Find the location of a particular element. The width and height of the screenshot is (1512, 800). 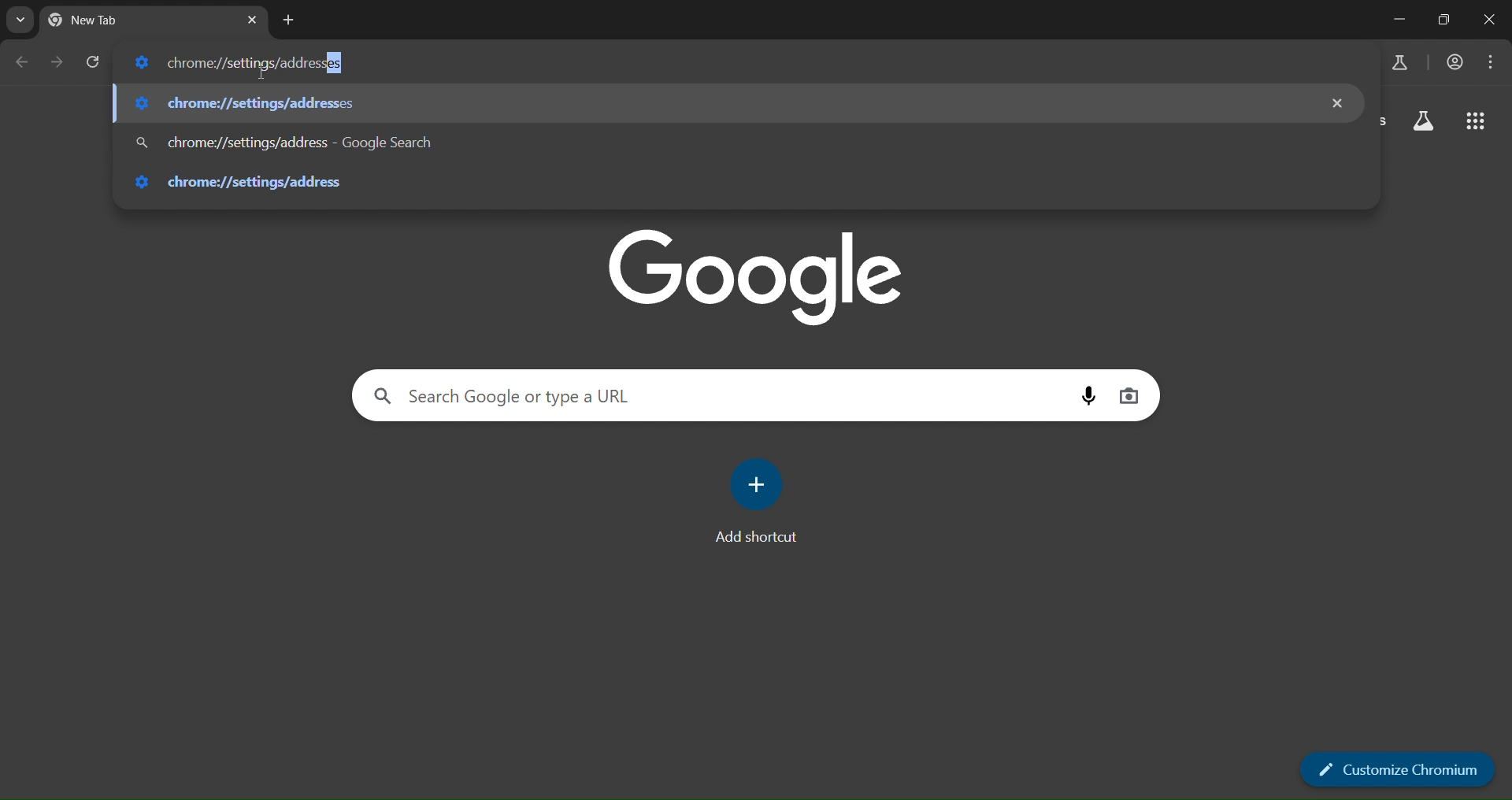

chrome://settings/addresses is located at coordinates (742, 59).